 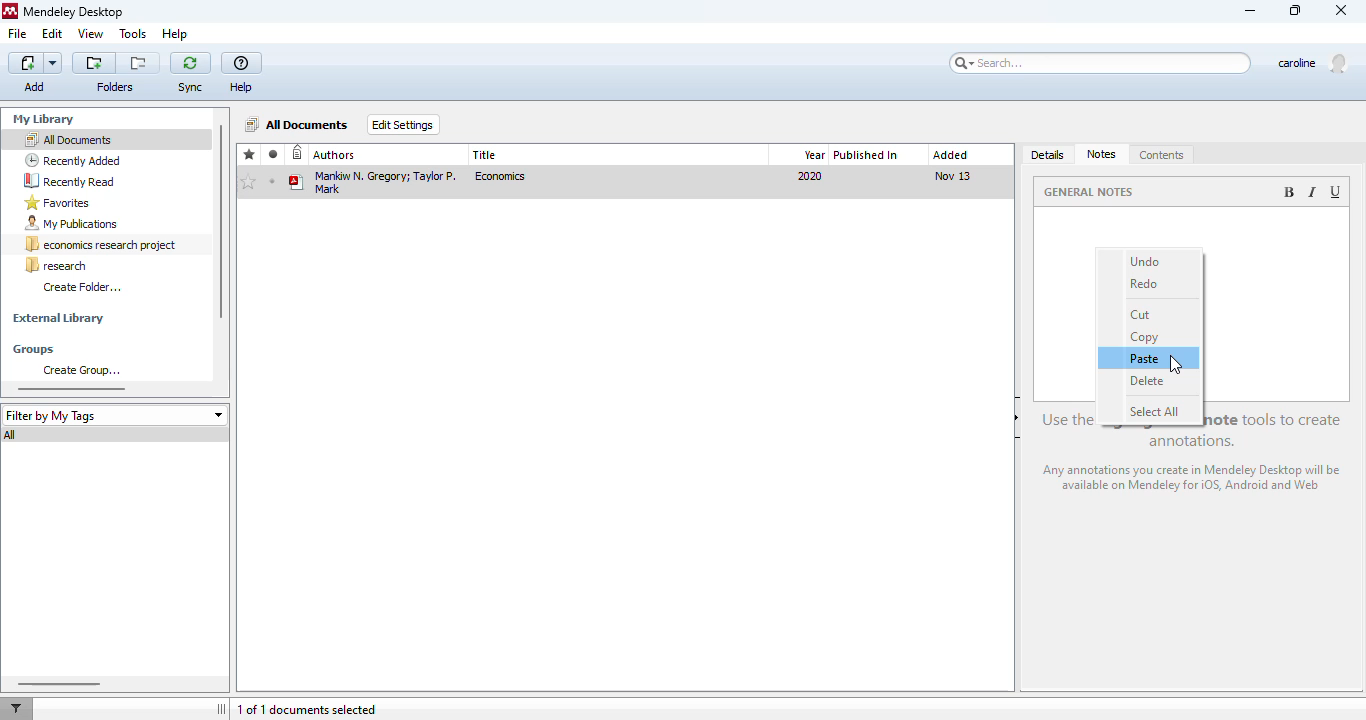 What do you see at coordinates (1143, 283) in the screenshot?
I see `redo` at bounding box center [1143, 283].